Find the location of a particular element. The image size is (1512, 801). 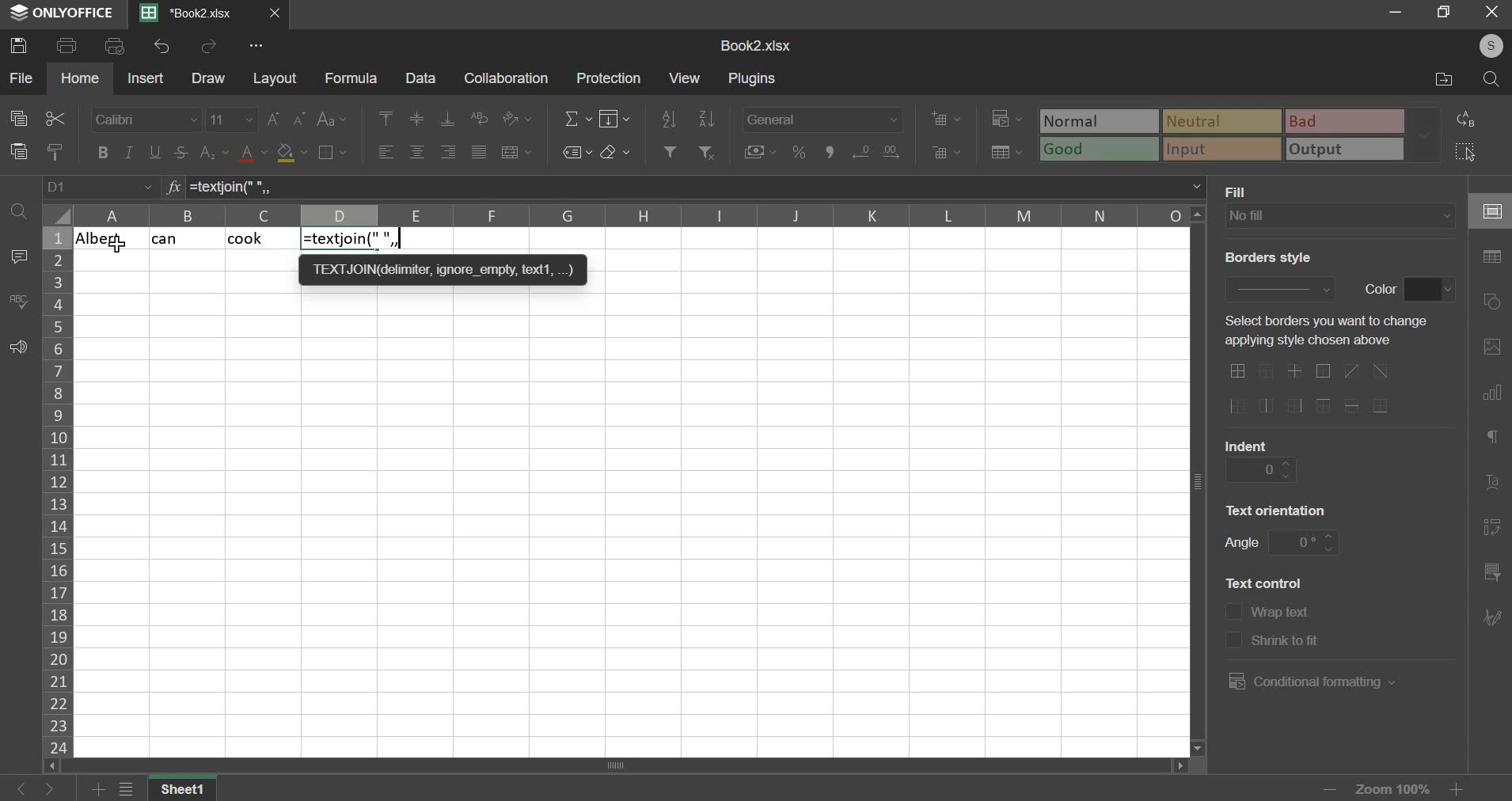

print preview is located at coordinates (116, 46).